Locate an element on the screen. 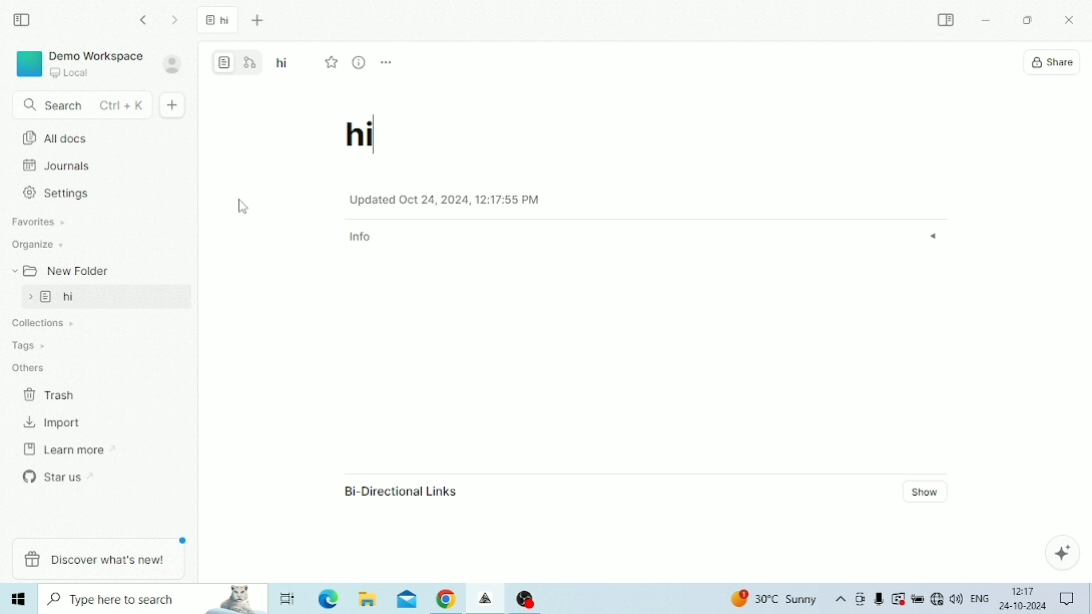  Collapse sidebar is located at coordinates (23, 20).